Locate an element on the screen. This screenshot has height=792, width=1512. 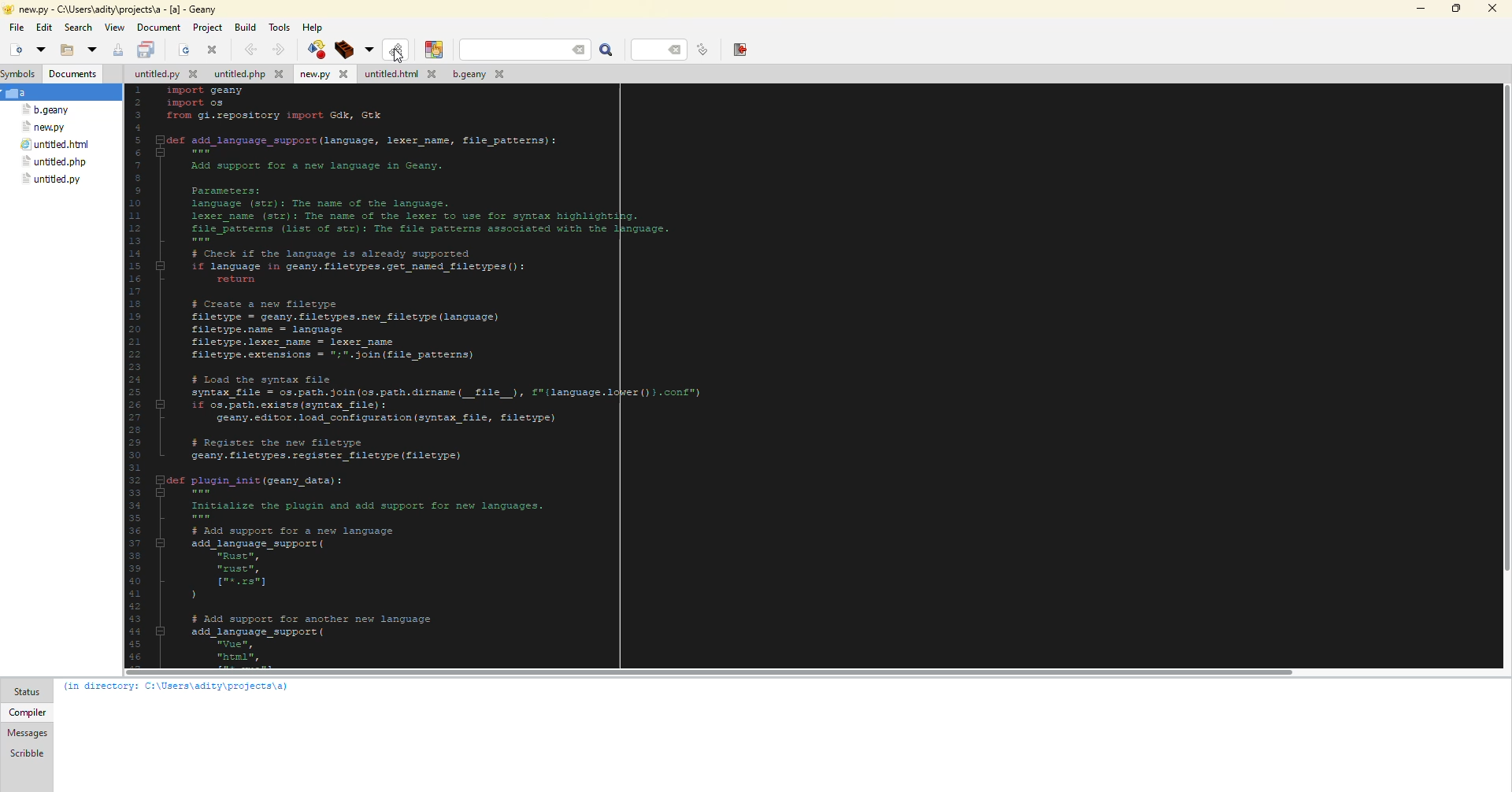
view is located at coordinates (115, 28).